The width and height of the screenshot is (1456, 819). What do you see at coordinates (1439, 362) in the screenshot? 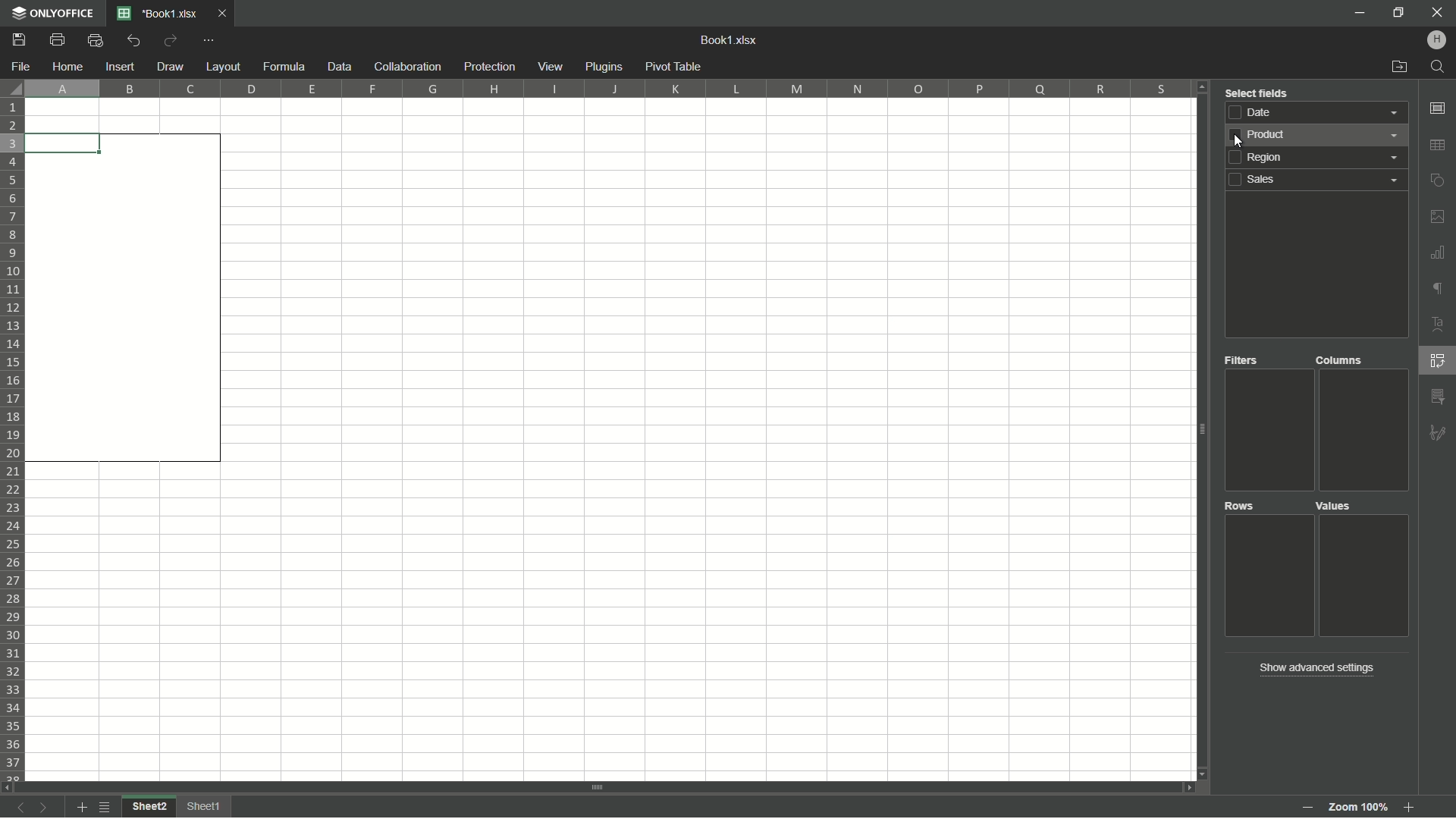
I see `insert pivot table` at bounding box center [1439, 362].